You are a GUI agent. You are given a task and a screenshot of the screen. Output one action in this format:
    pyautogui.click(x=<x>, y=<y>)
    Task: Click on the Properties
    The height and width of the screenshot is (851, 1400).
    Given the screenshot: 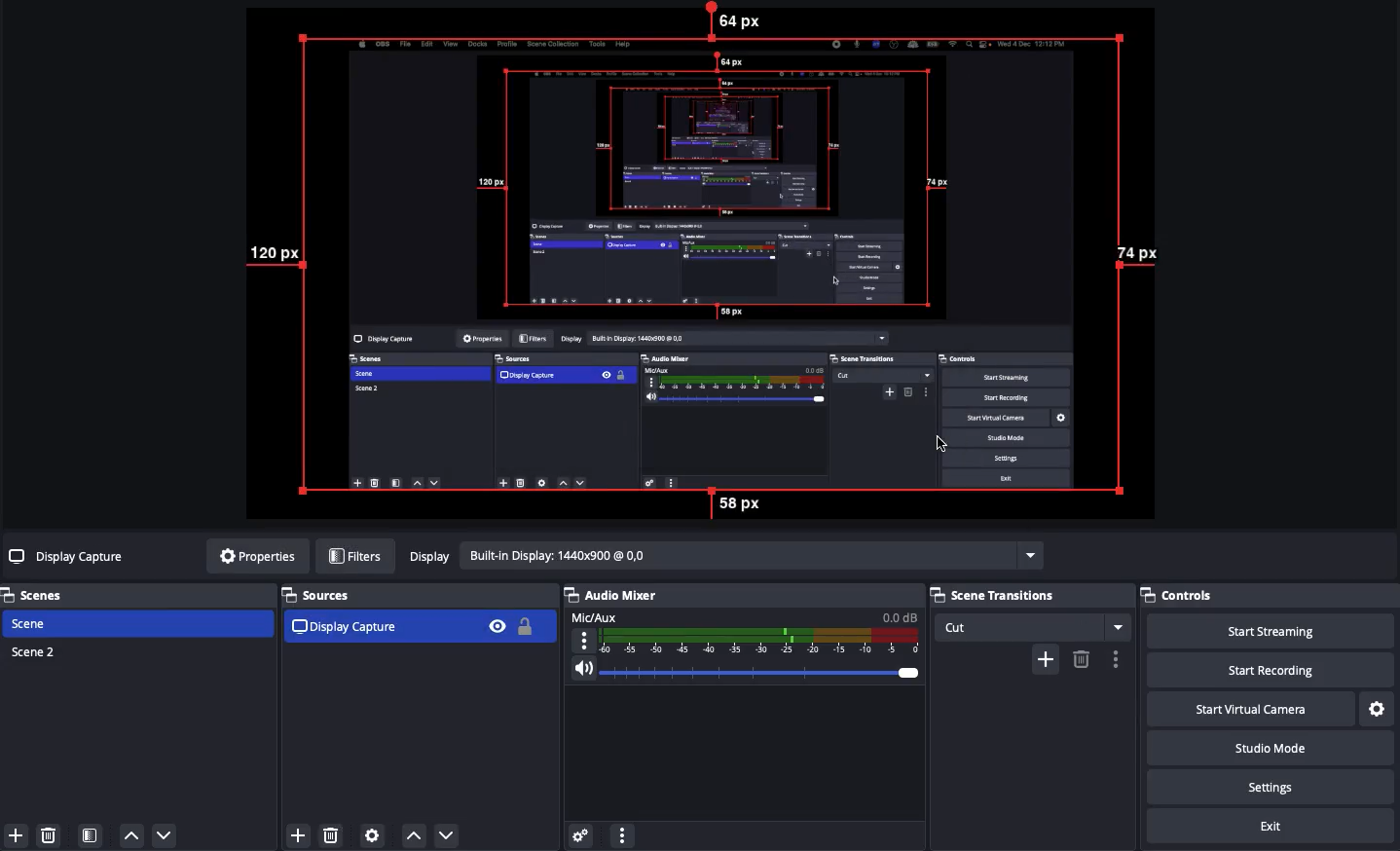 What is the action you would take?
    pyautogui.click(x=252, y=556)
    